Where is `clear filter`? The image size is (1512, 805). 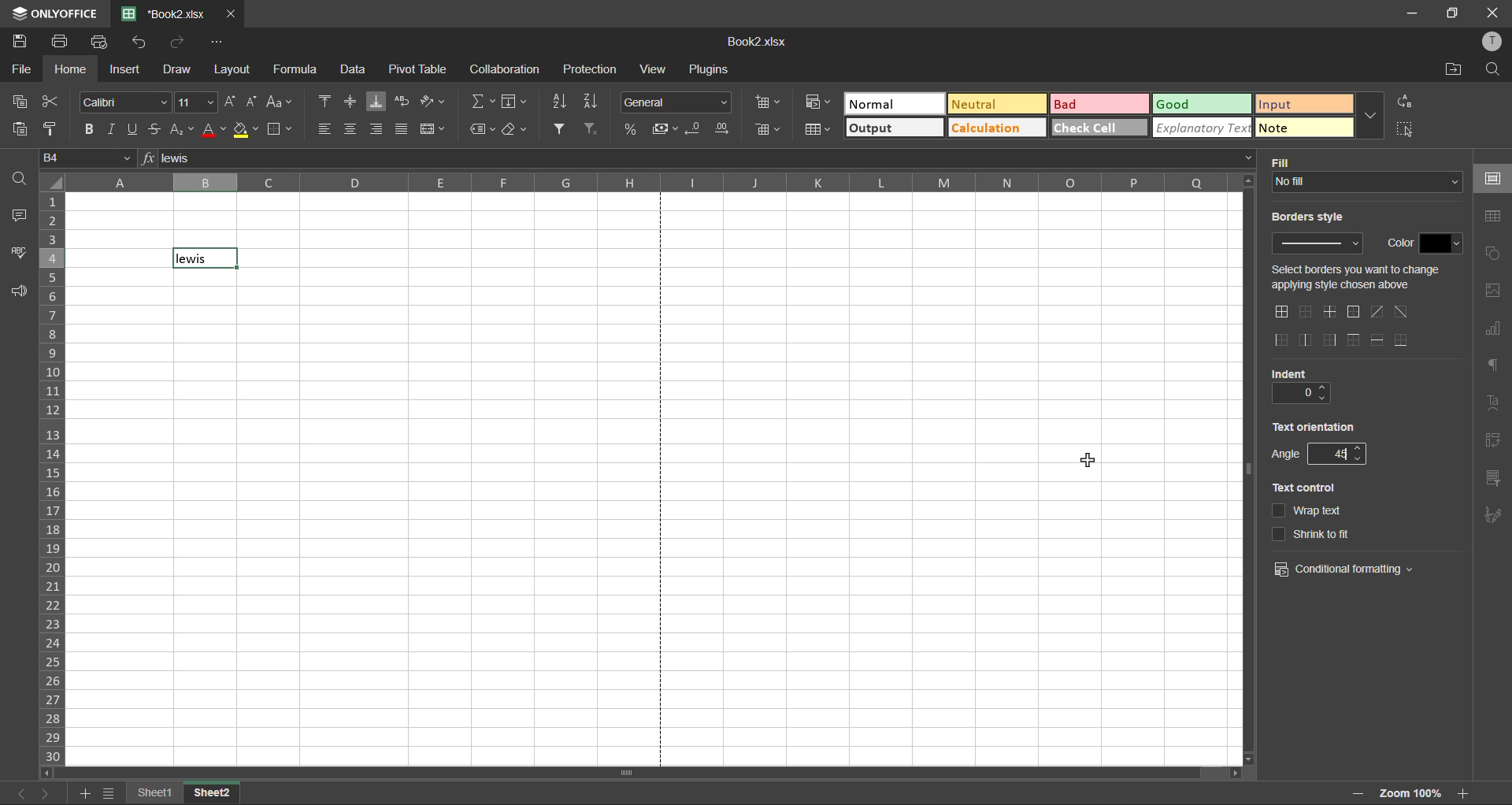 clear filter is located at coordinates (591, 129).